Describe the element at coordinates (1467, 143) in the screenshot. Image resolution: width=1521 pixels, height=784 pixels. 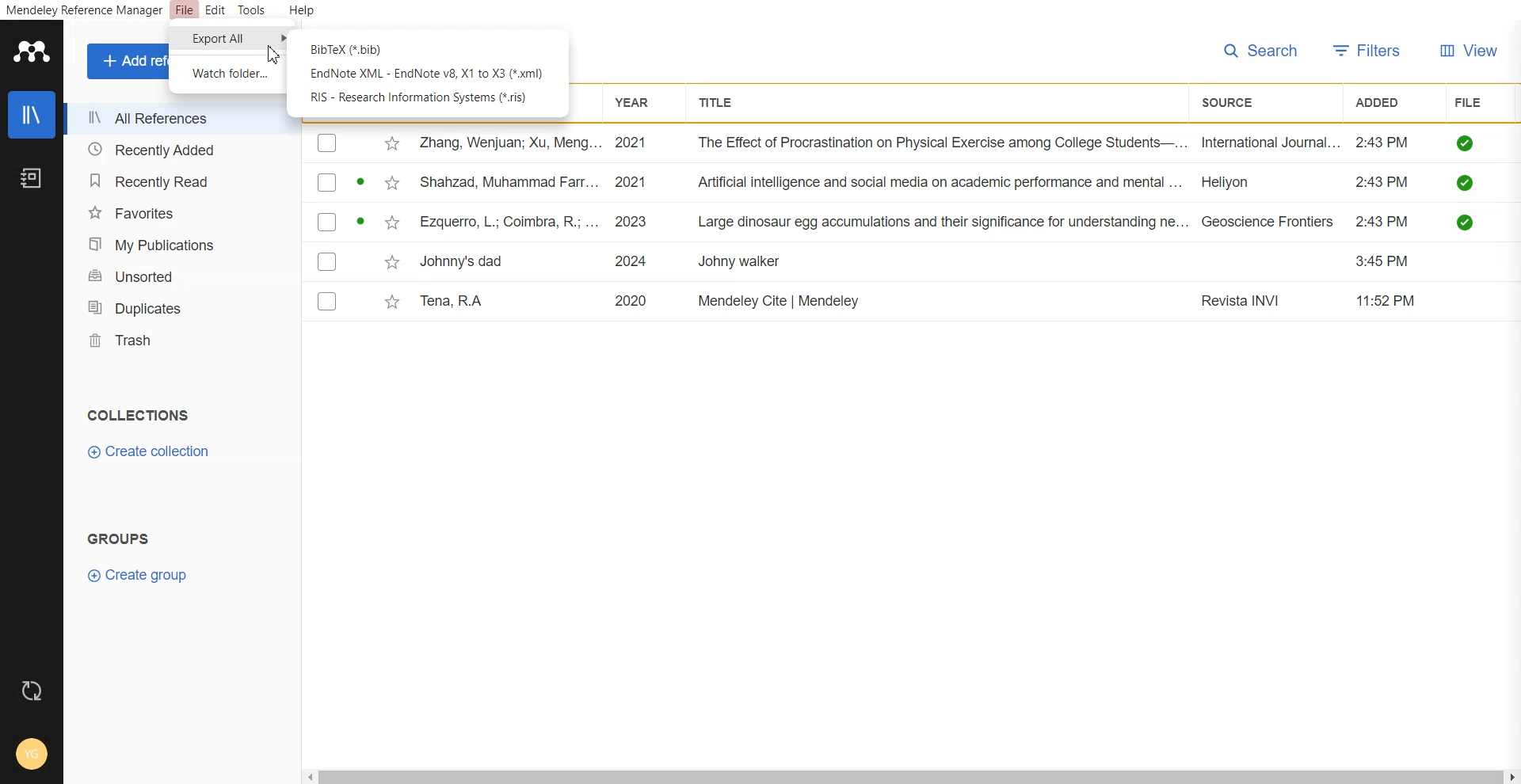
I see `saved` at that location.